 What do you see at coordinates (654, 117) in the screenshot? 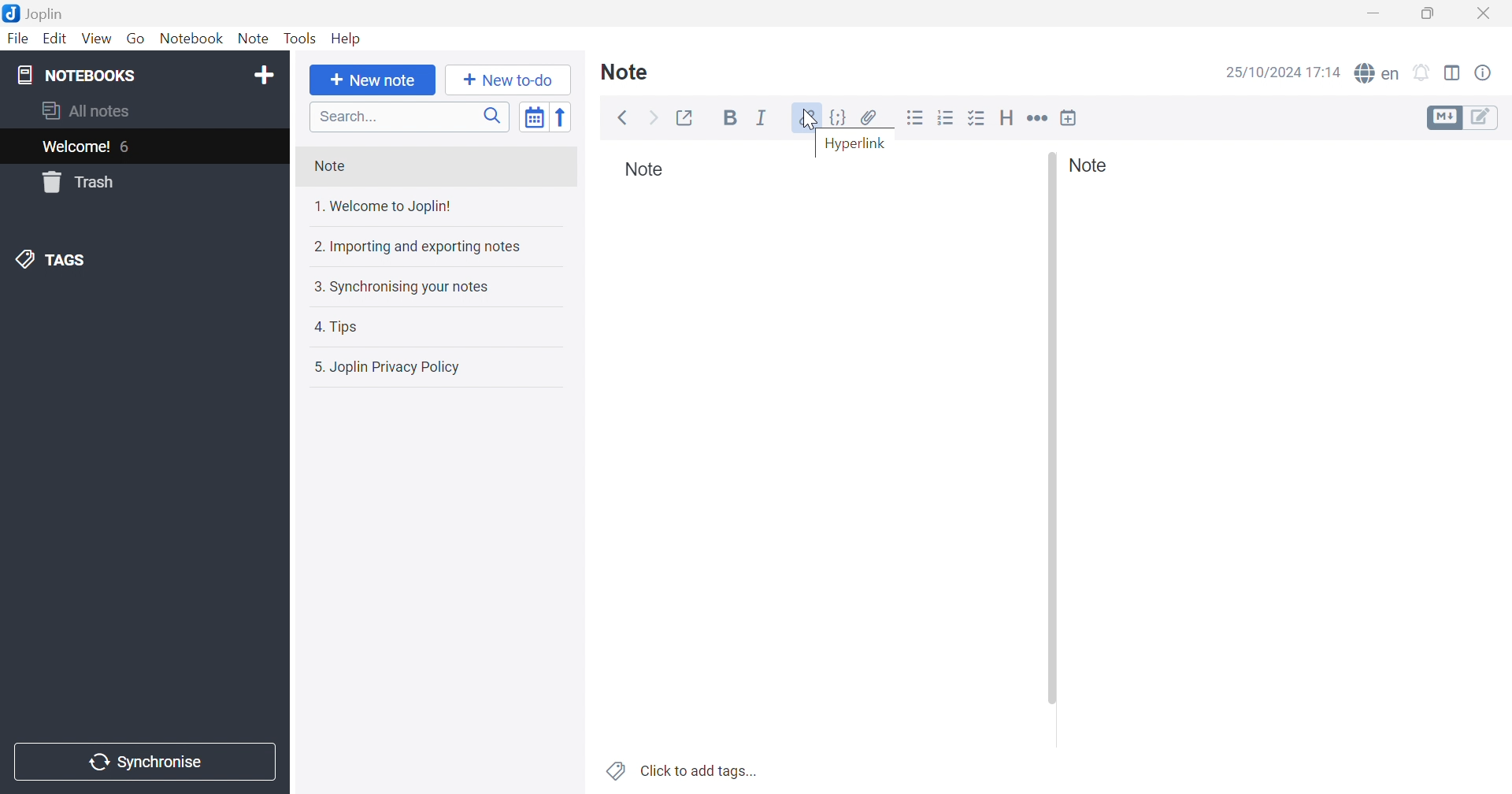
I see `Forward` at bounding box center [654, 117].